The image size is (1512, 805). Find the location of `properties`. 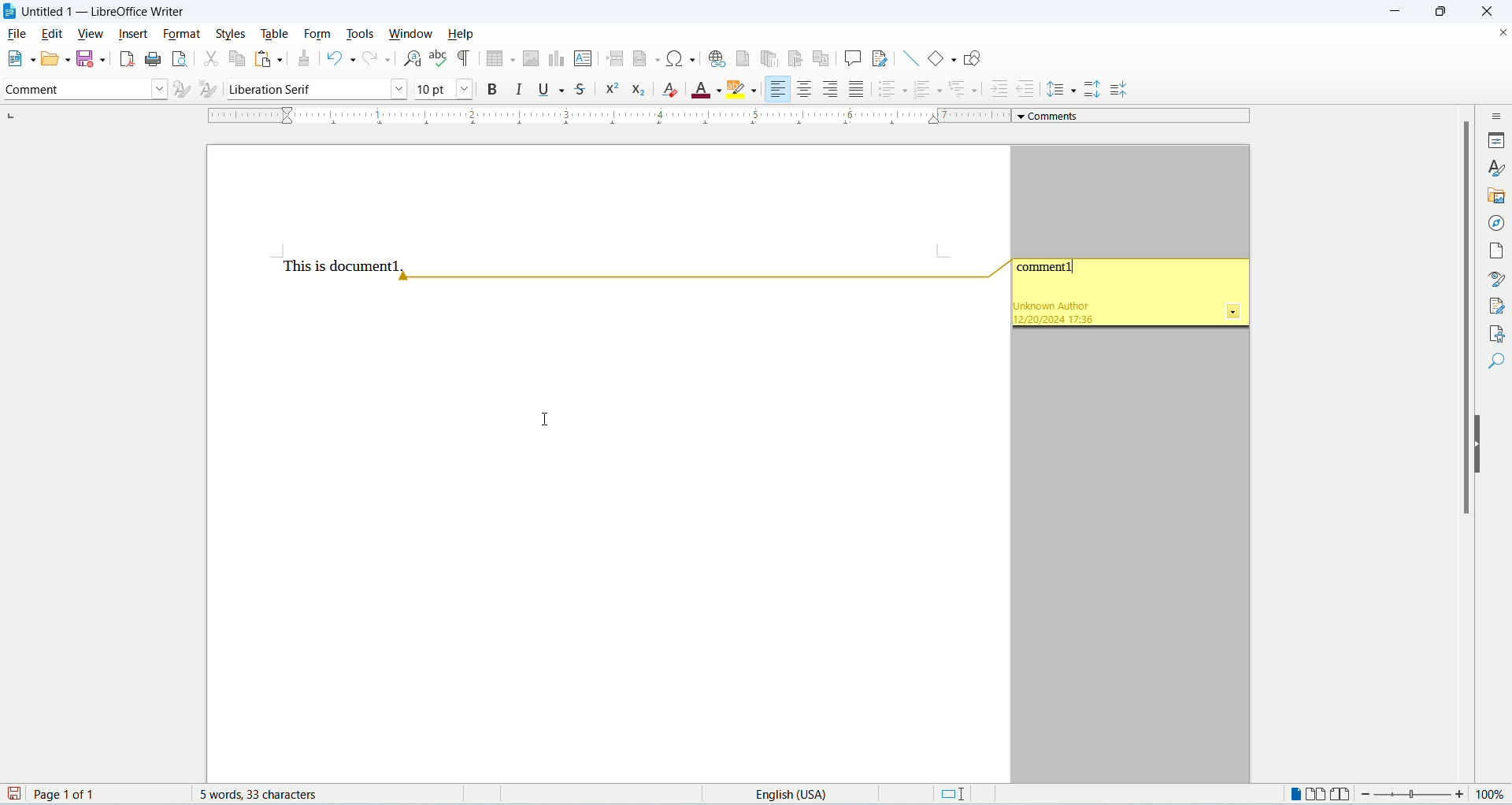

properties is located at coordinates (1496, 140).